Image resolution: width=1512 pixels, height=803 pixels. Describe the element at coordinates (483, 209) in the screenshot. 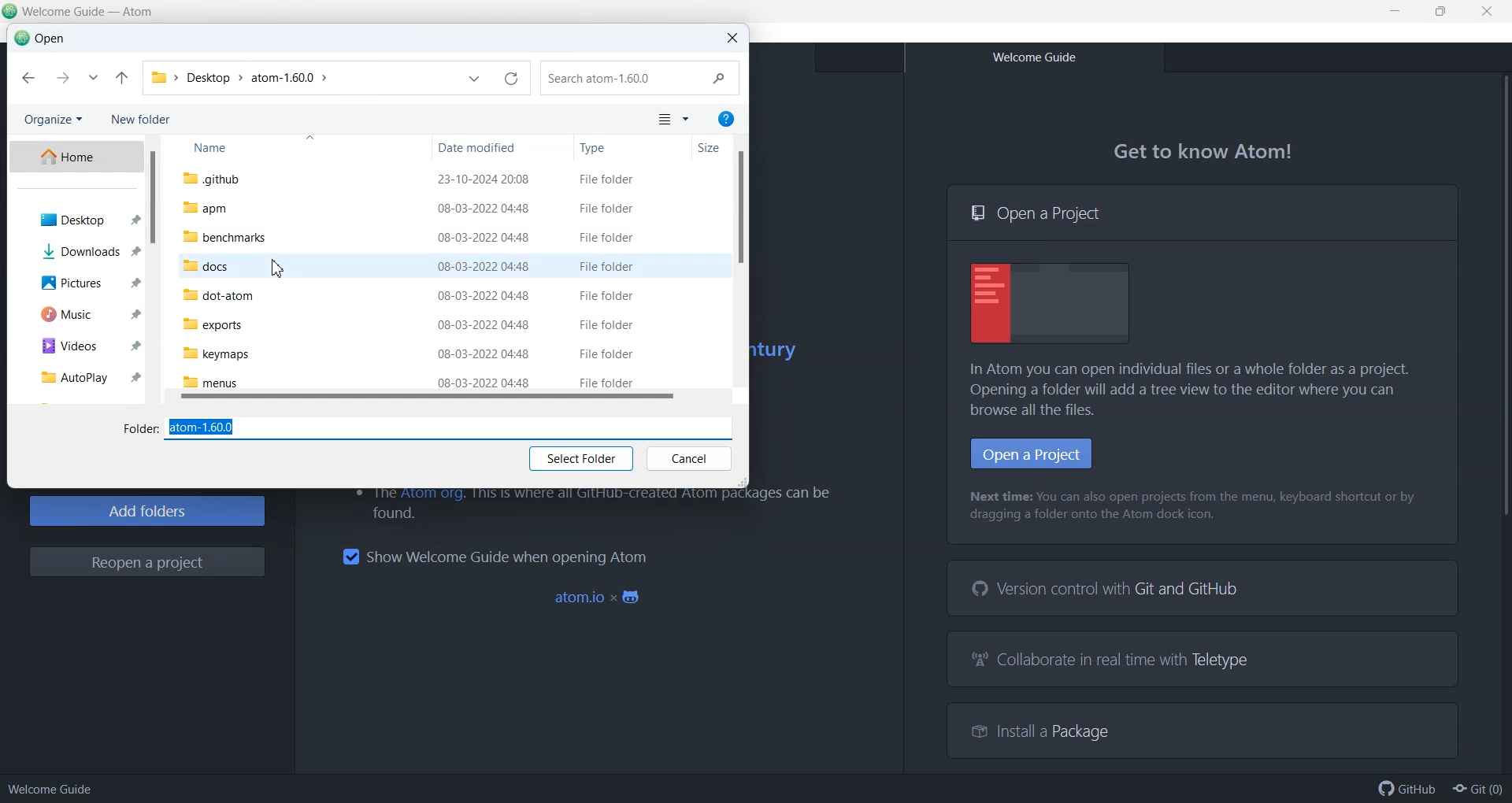

I see `08-03-2022 04:48` at that location.